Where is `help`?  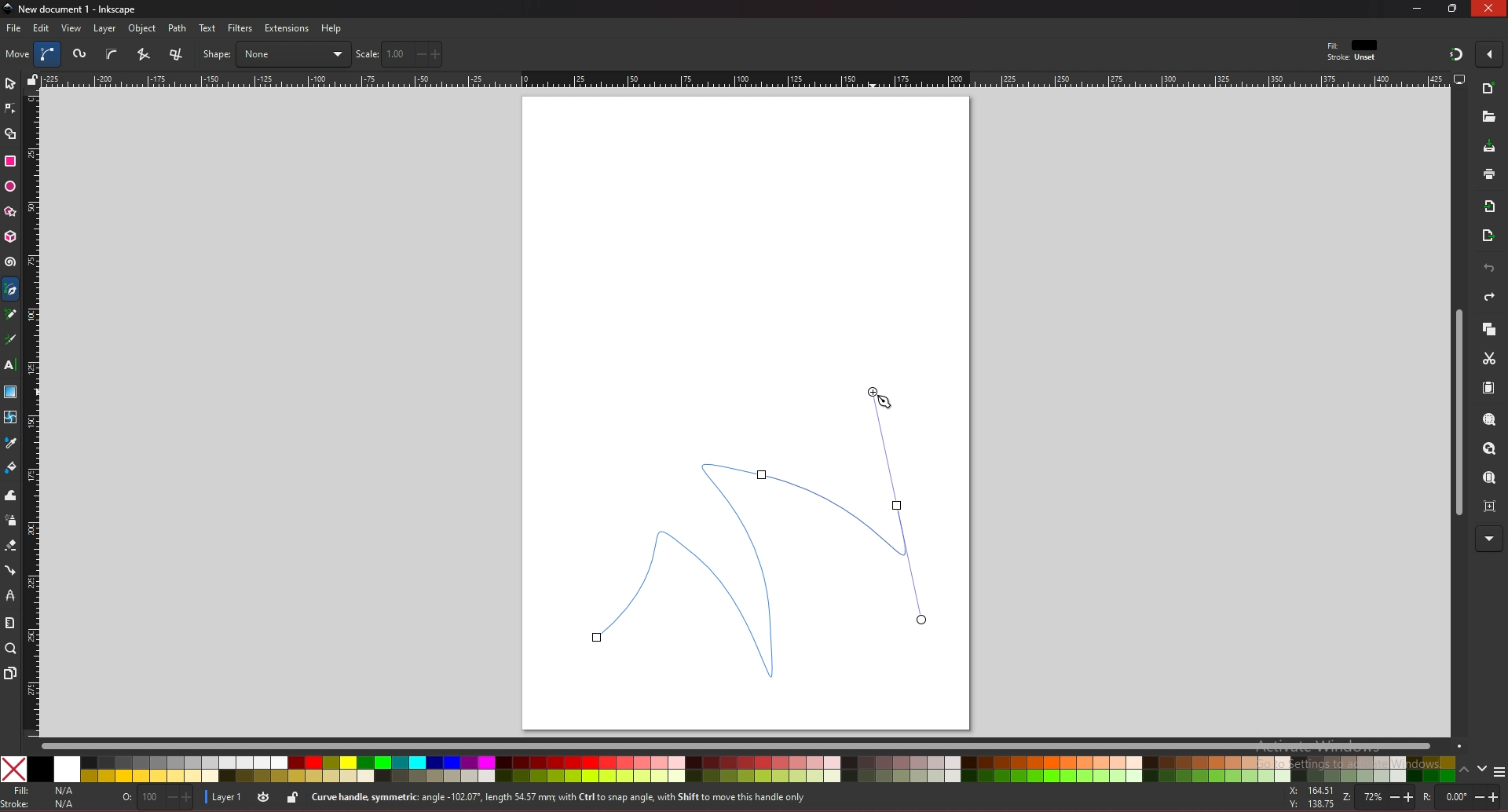
help is located at coordinates (332, 28).